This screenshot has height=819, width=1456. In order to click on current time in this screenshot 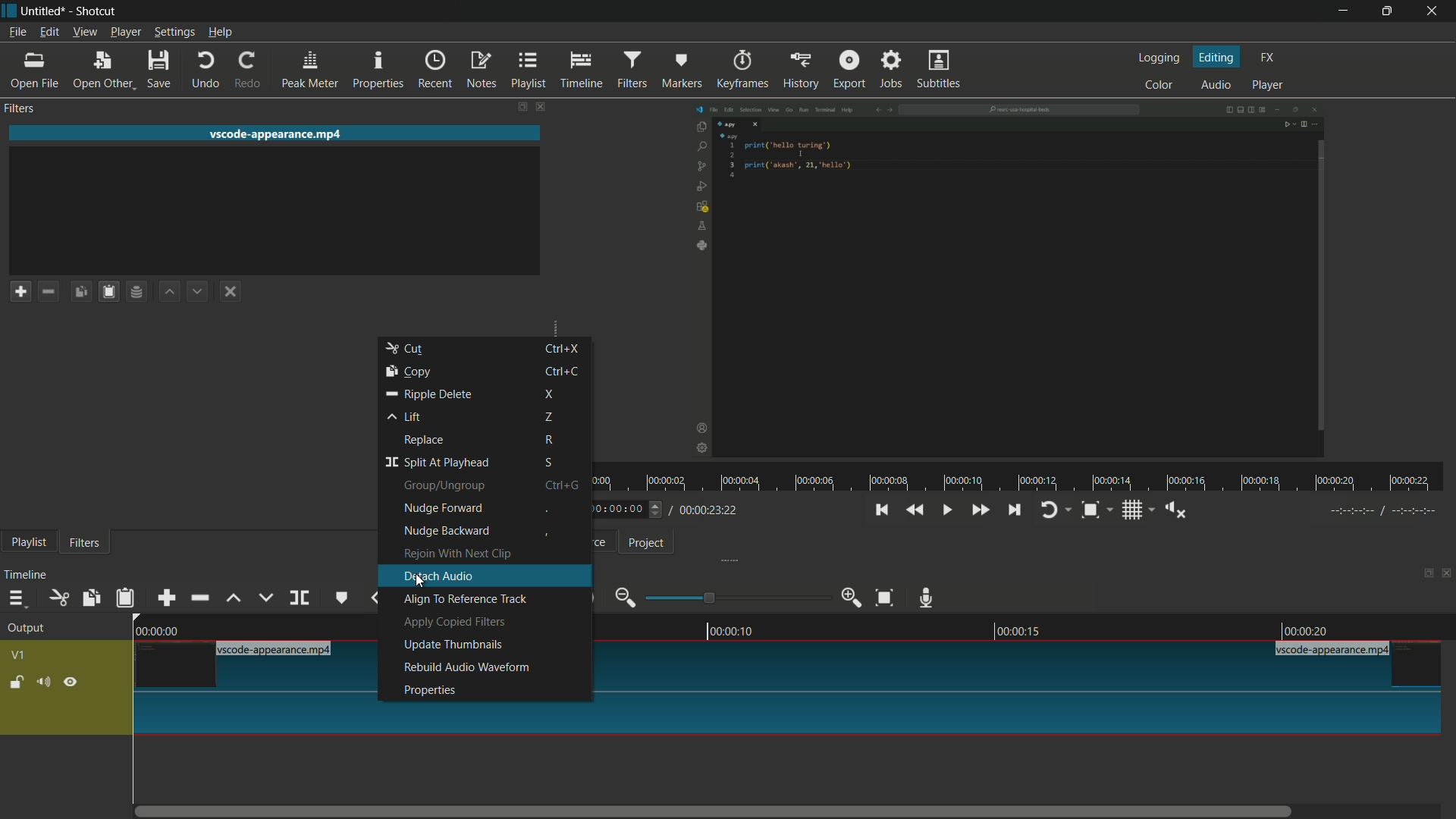, I will do `click(618, 510)`.